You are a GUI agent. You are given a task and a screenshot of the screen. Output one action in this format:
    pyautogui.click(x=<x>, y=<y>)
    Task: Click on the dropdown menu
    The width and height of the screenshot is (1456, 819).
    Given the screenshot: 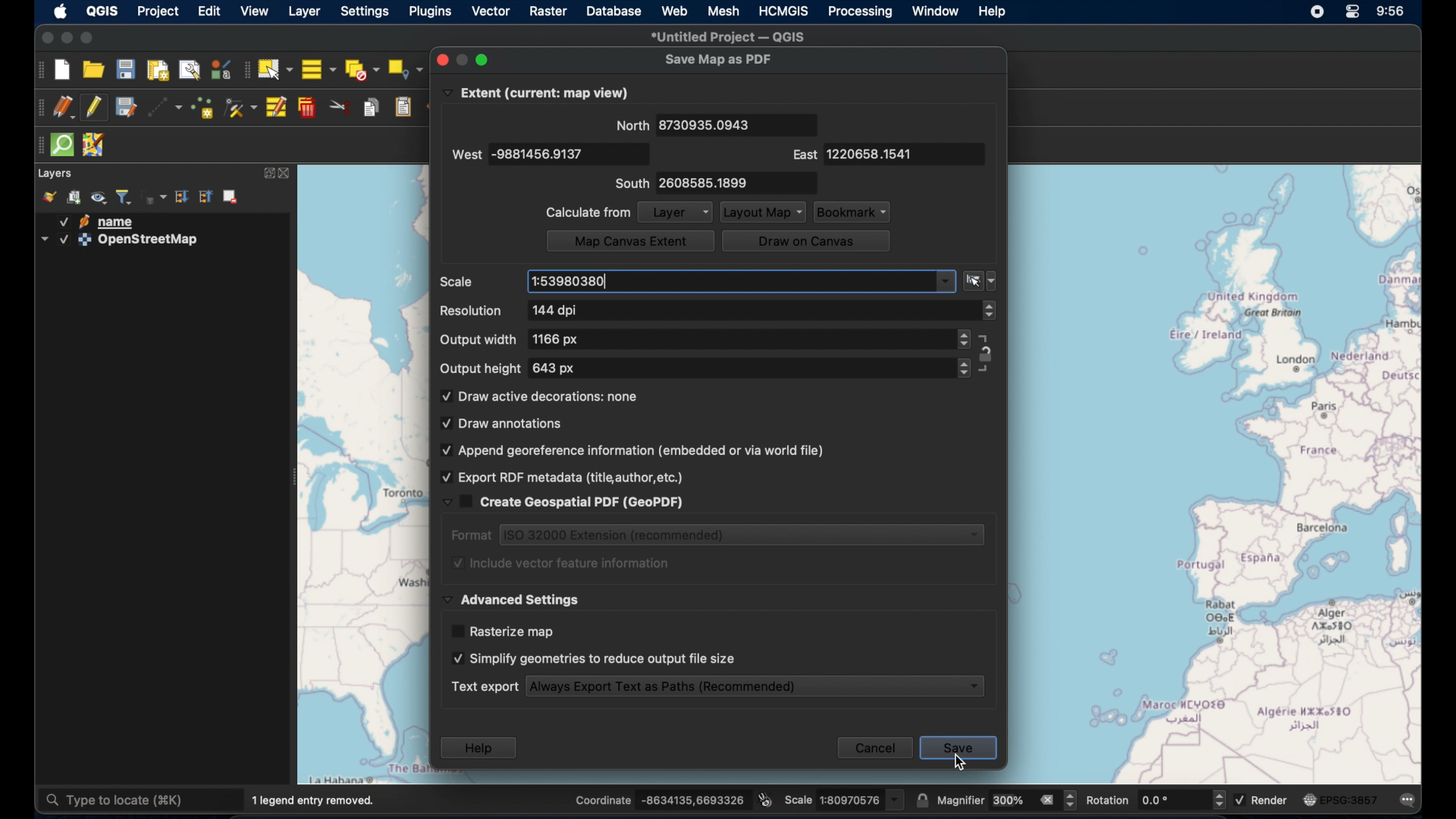 What is the action you would take?
    pyautogui.click(x=943, y=281)
    